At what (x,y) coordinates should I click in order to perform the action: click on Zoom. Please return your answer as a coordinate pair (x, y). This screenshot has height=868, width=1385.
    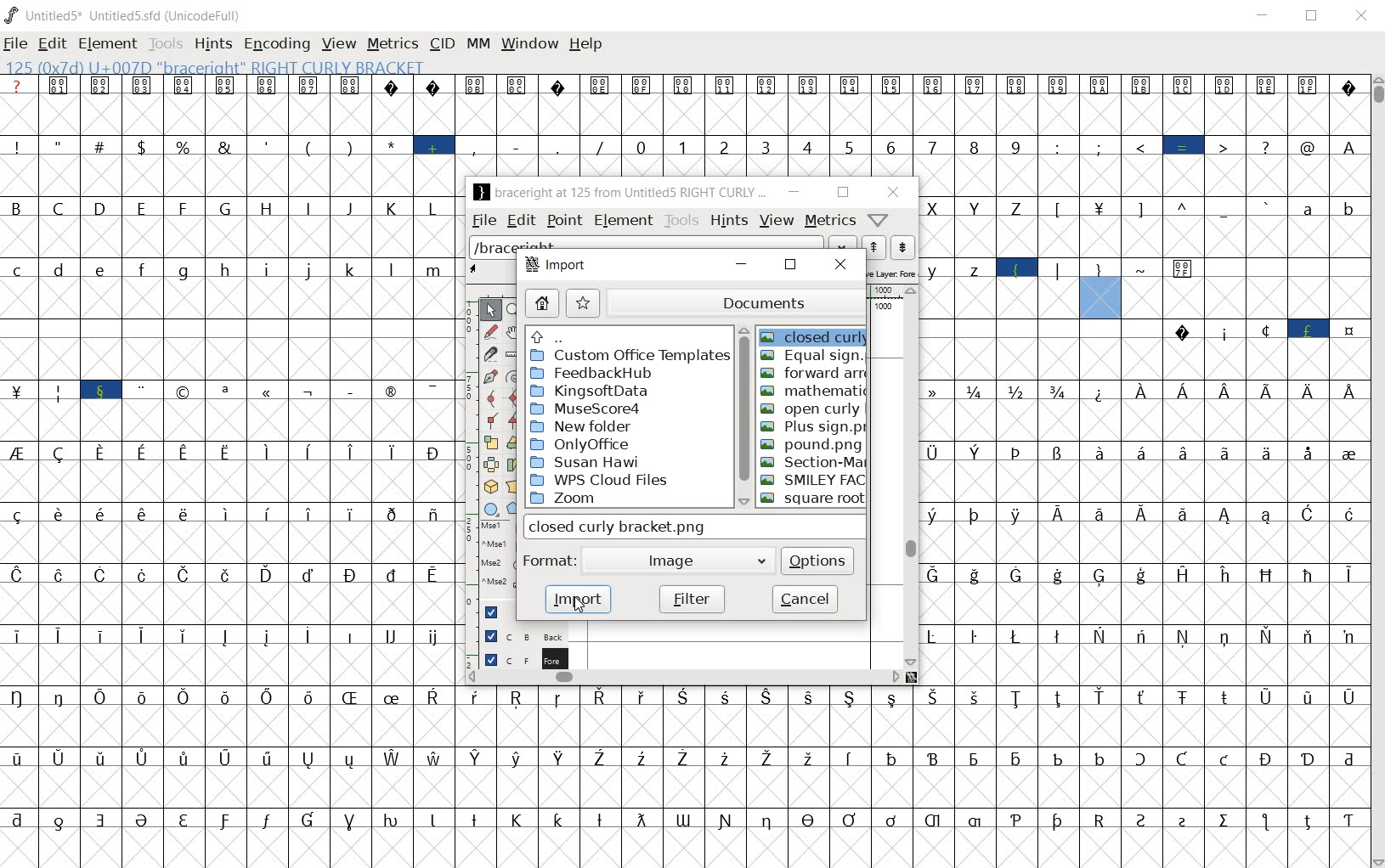
    Looking at the image, I should click on (573, 499).